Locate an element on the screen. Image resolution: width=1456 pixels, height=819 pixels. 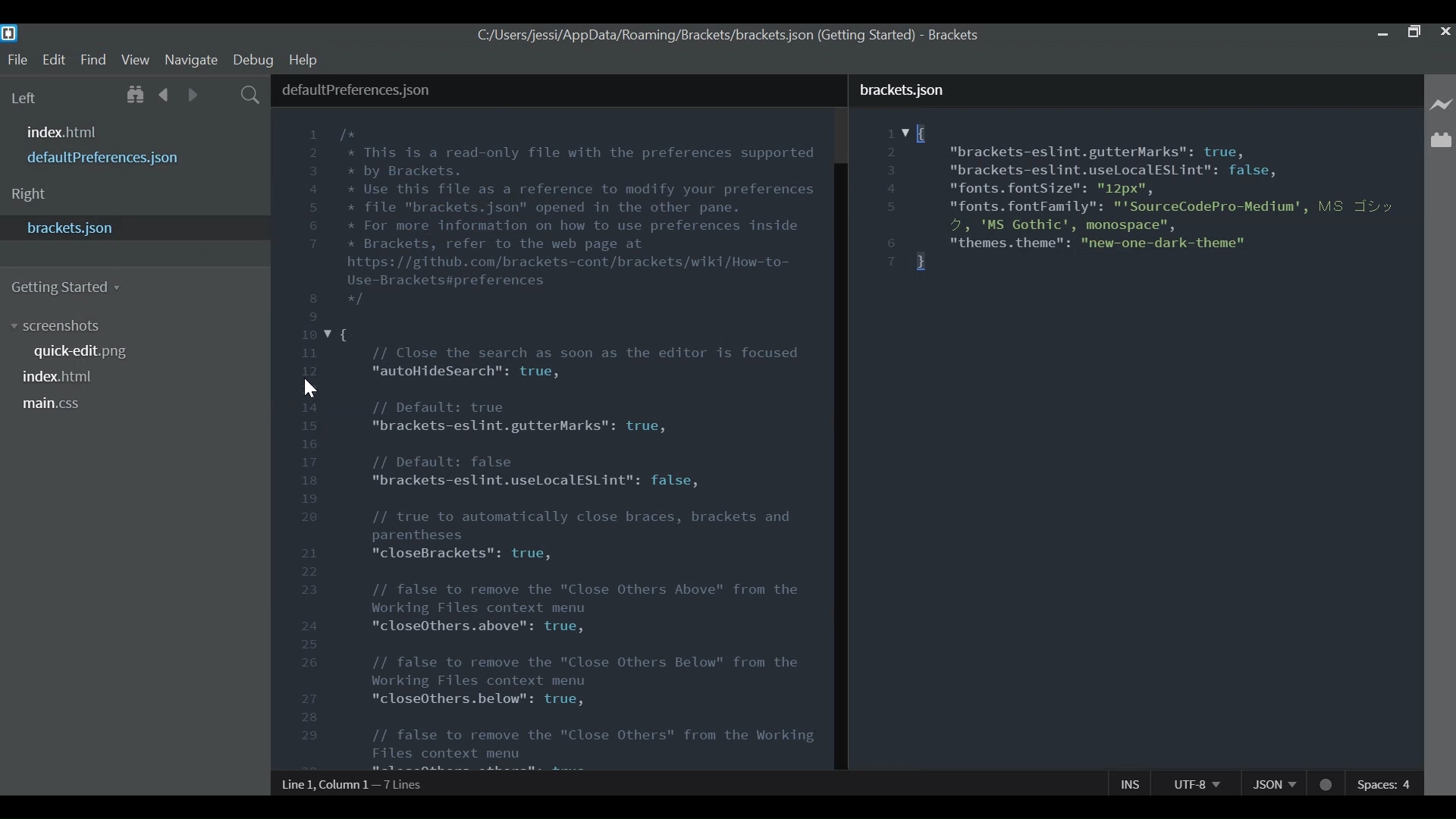
index.html is located at coordinates (61, 378).